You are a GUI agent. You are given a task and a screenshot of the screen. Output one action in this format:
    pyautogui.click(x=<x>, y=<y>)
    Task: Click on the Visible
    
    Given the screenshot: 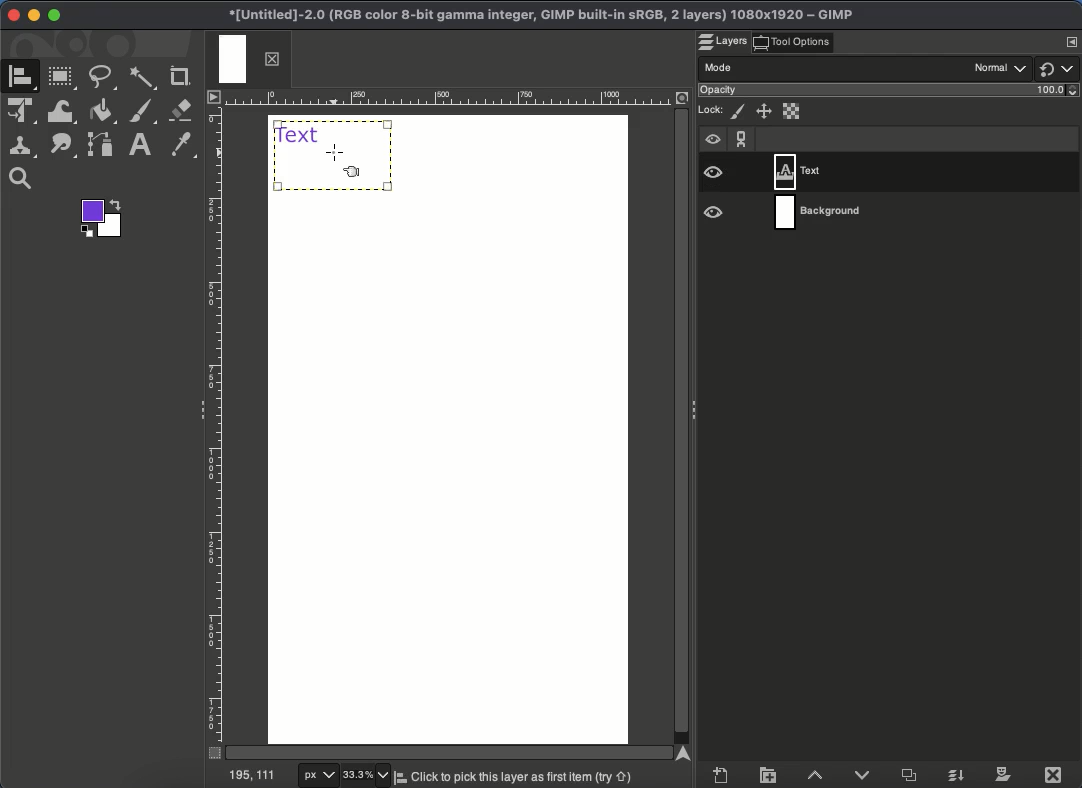 What is the action you would take?
    pyautogui.click(x=713, y=175)
    